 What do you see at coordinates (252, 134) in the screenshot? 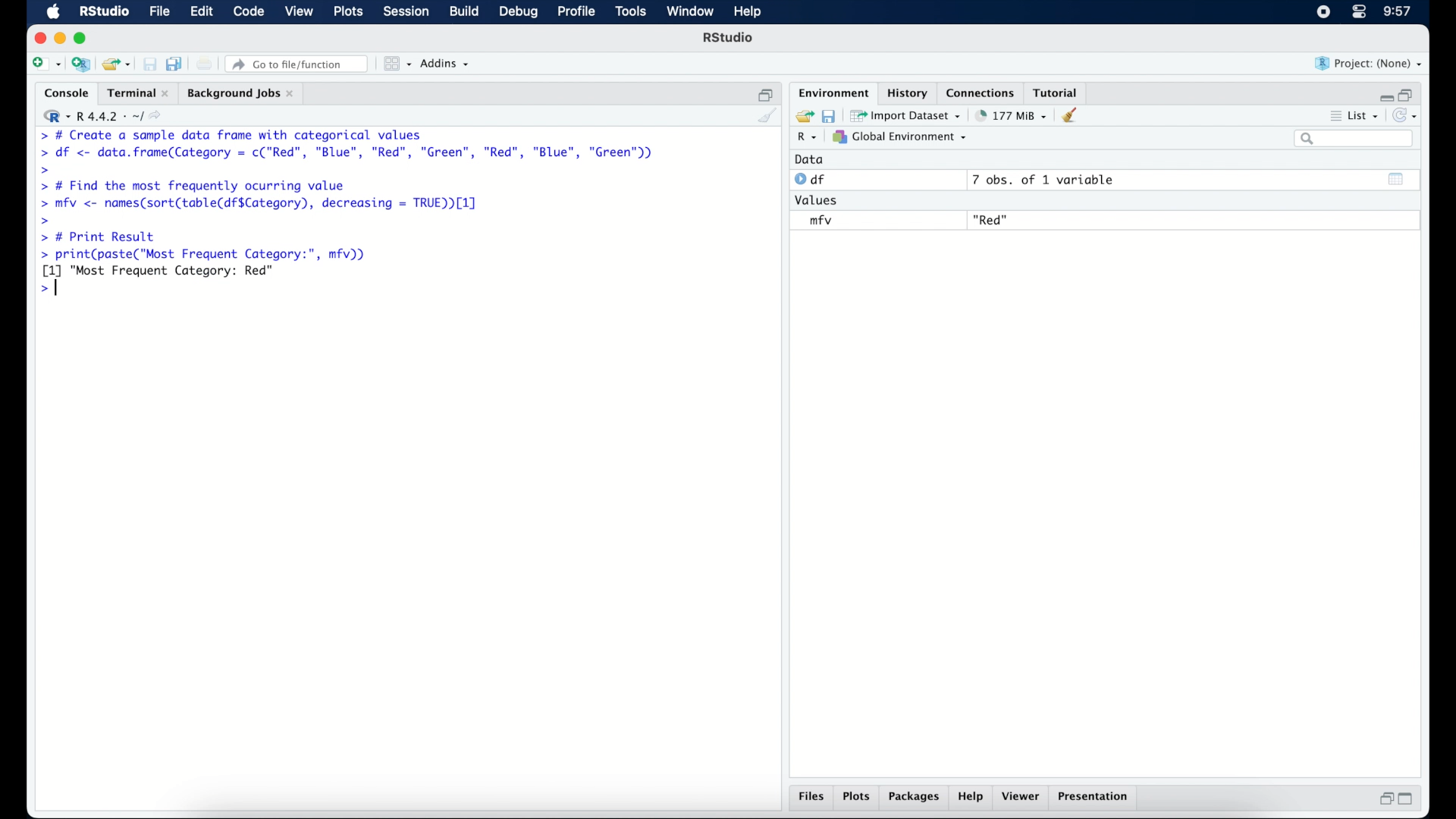
I see `> # Create a sample data frame with categorical values|` at bounding box center [252, 134].